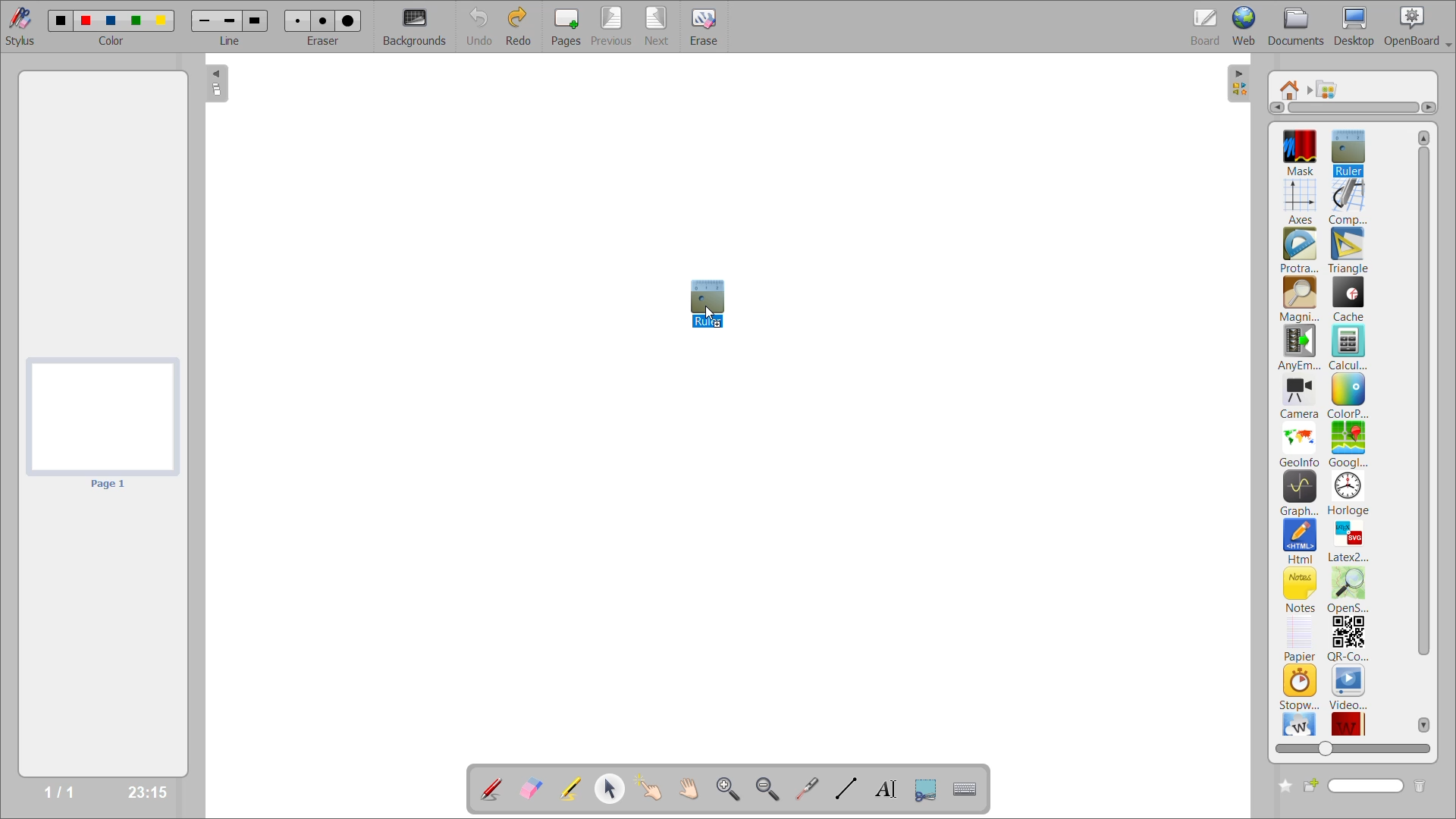 The width and height of the screenshot is (1456, 819). Describe the element at coordinates (1299, 723) in the screenshot. I see `wikipedia` at that location.